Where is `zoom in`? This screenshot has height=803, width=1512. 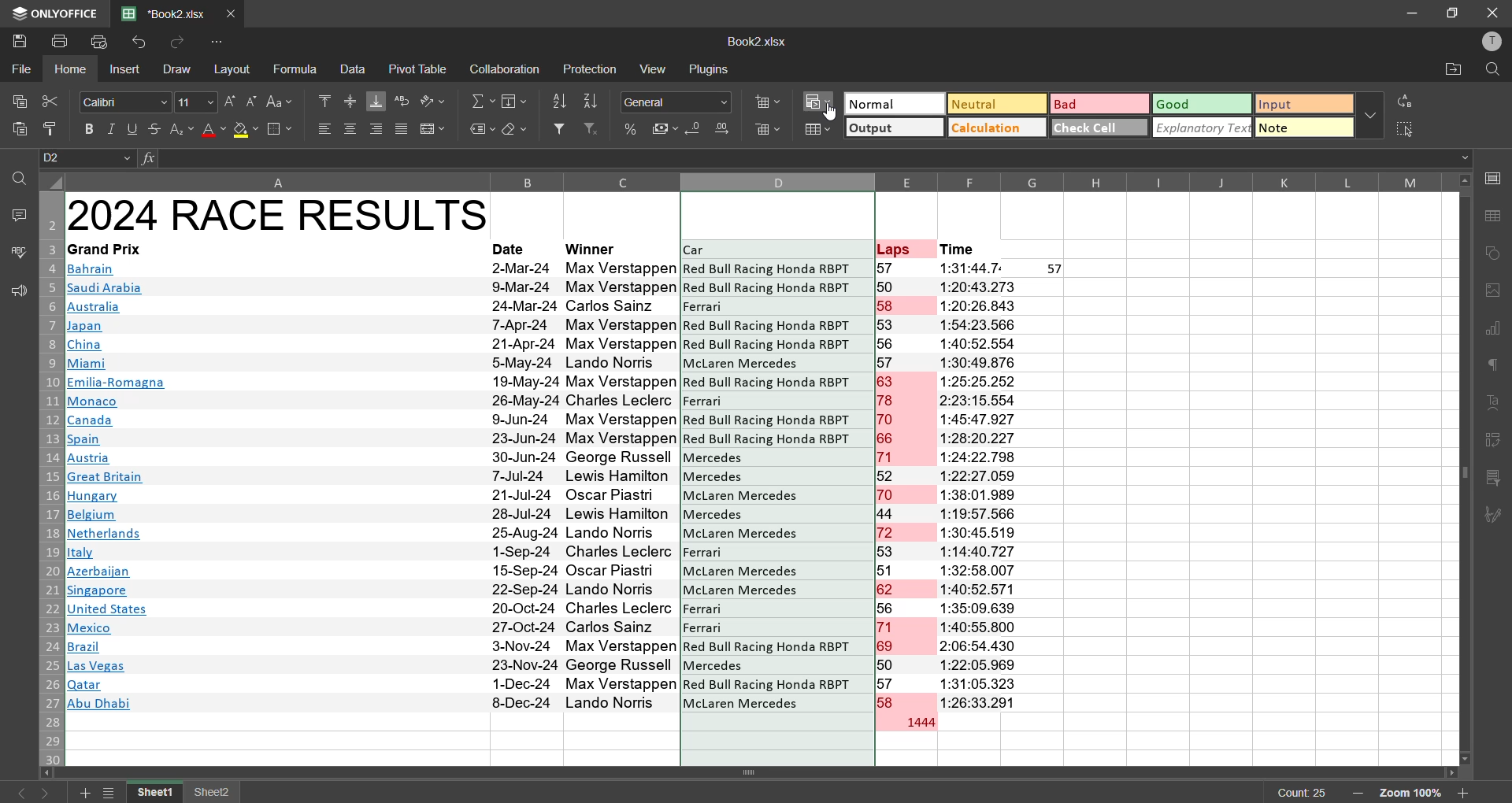 zoom in is located at coordinates (1463, 793).